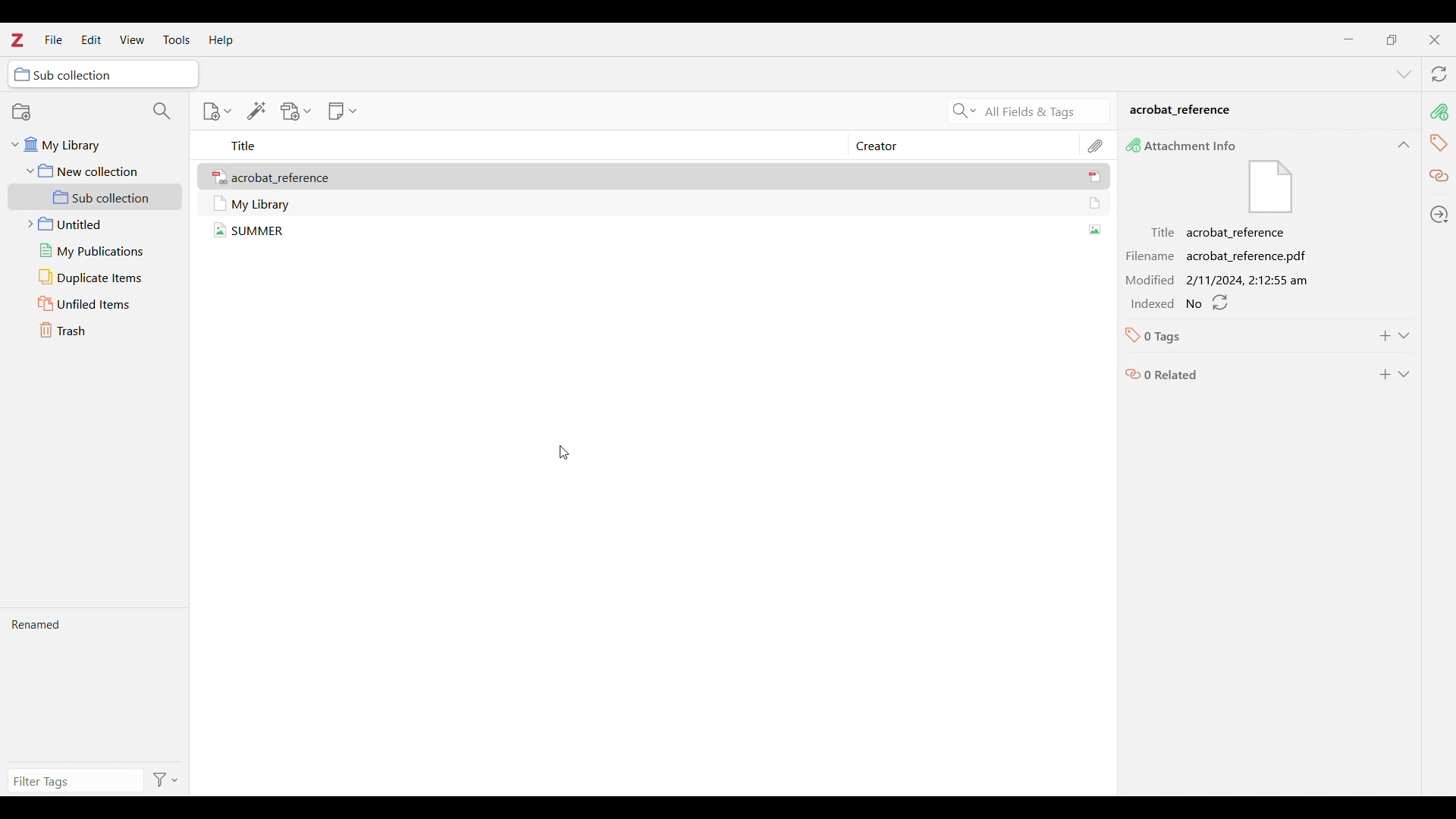 This screenshot has width=1456, height=819. What do you see at coordinates (1181, 306) in the screenshot?
I see `indexed No ` at bounding box center [1181, 306].